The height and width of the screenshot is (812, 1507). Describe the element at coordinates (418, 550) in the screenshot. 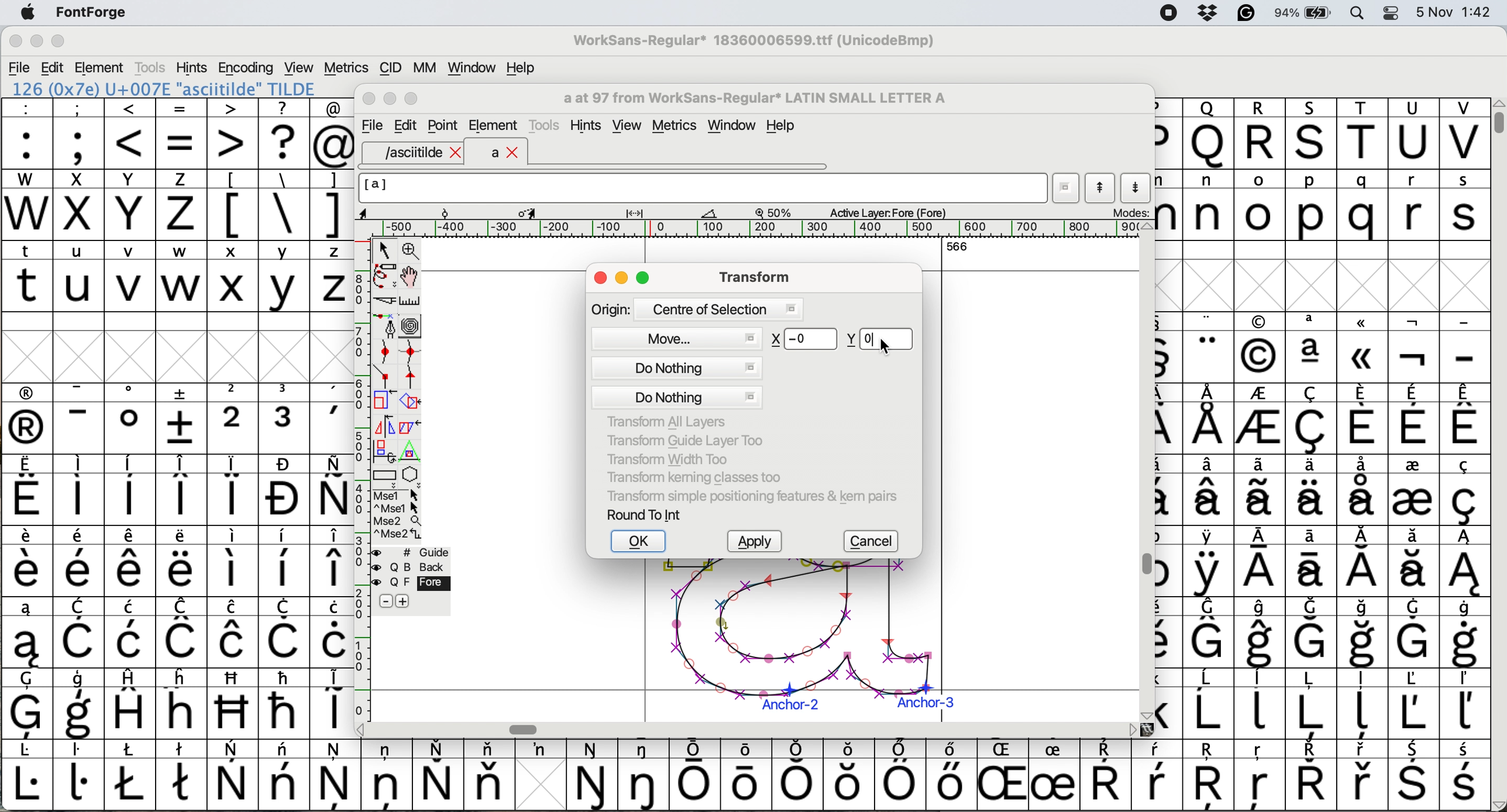

I see `guide` at that location.